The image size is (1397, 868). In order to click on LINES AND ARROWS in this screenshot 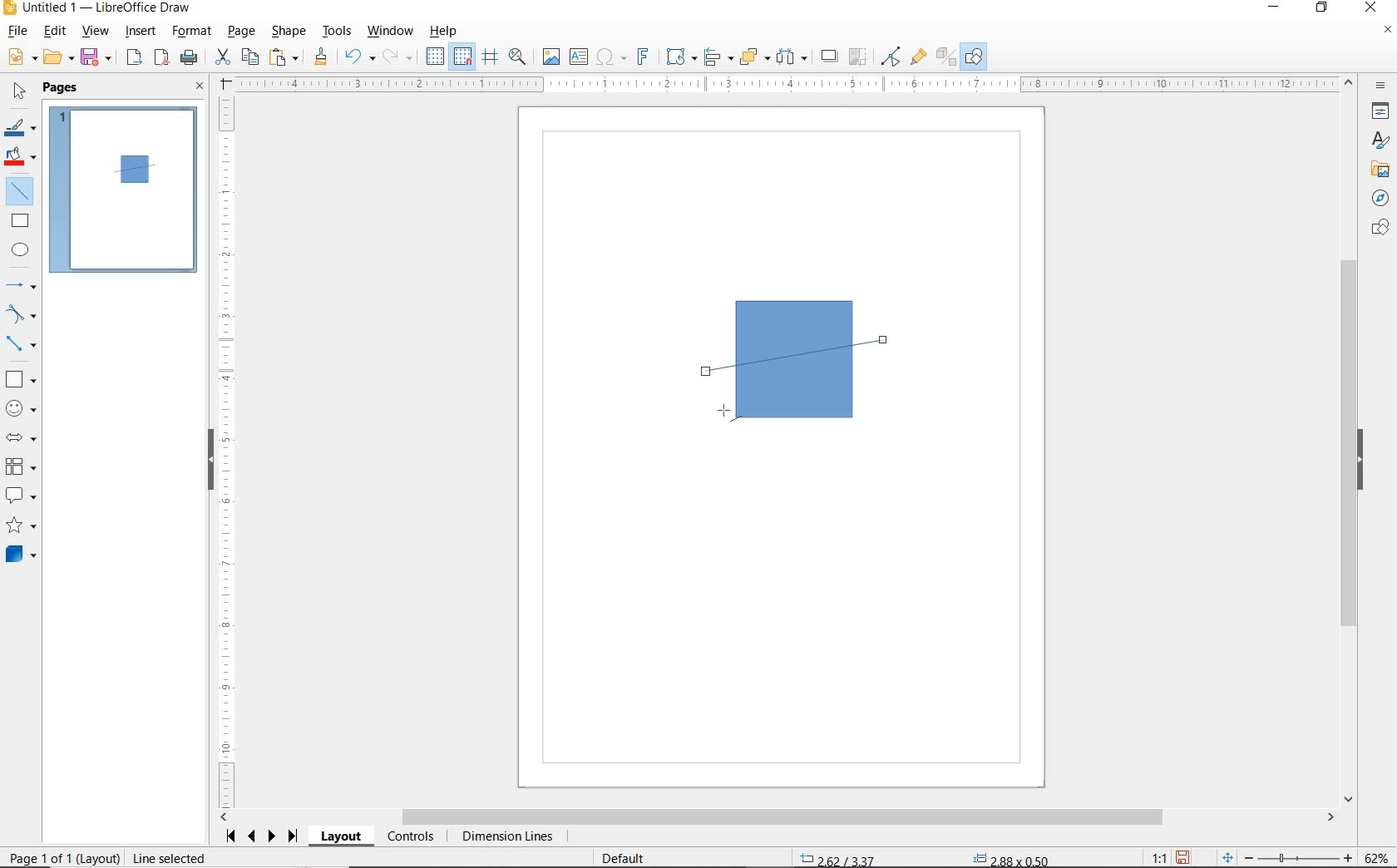, I will do `click(22, 285)`.